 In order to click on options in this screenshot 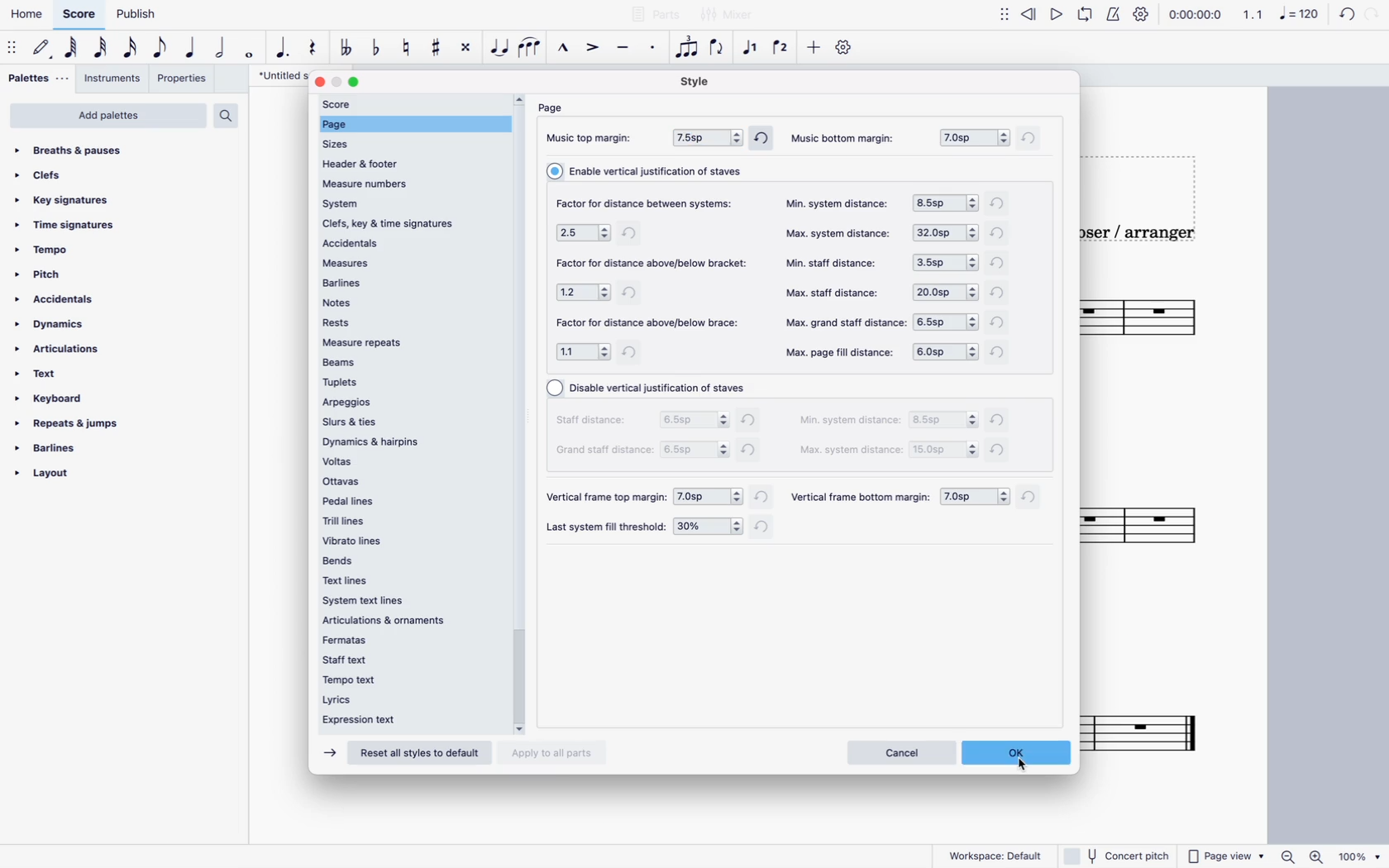, I will do `click(709, 527)`.